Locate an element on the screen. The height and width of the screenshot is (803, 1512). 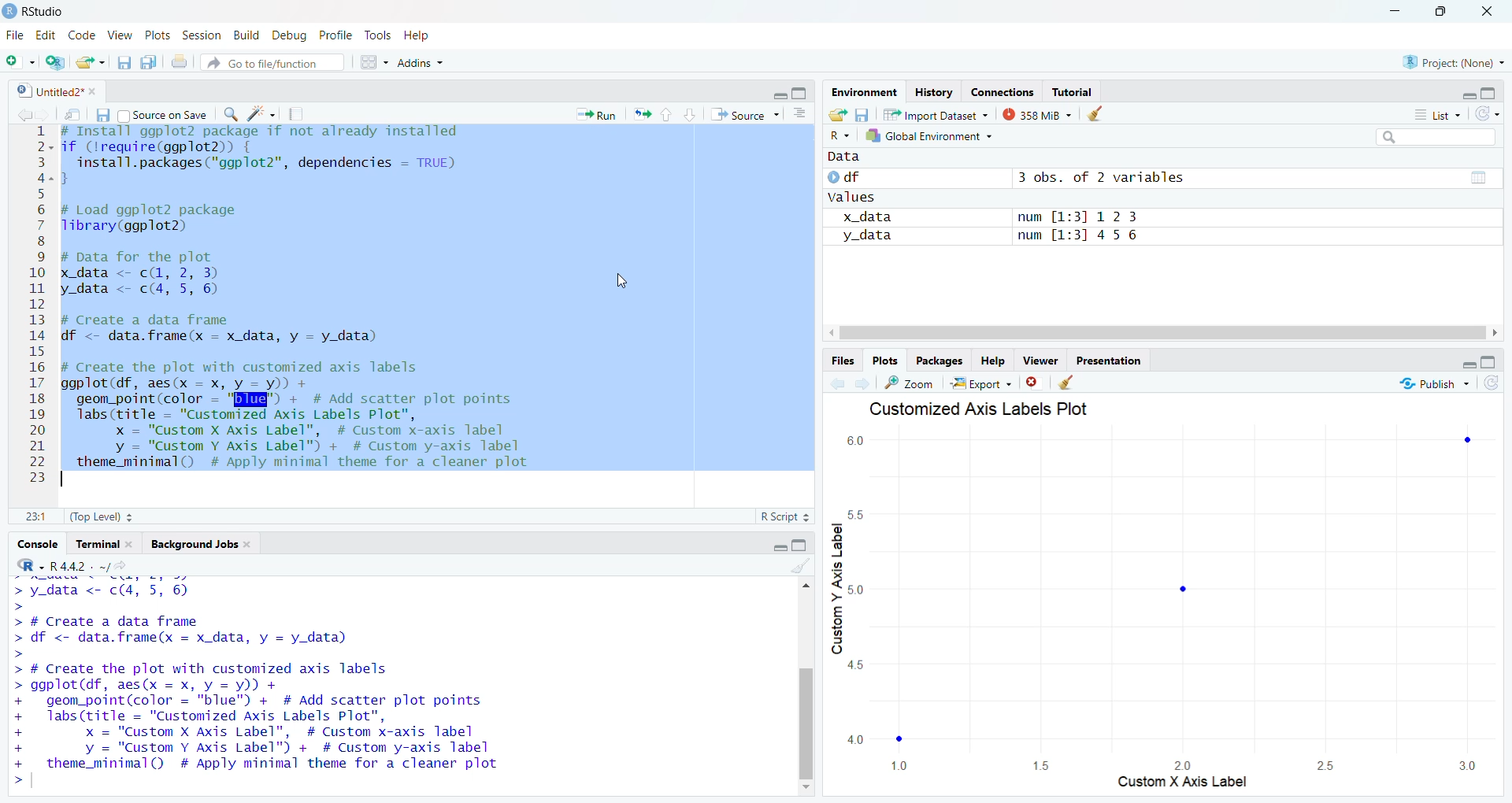
downward is located at coordinates (691, 117).